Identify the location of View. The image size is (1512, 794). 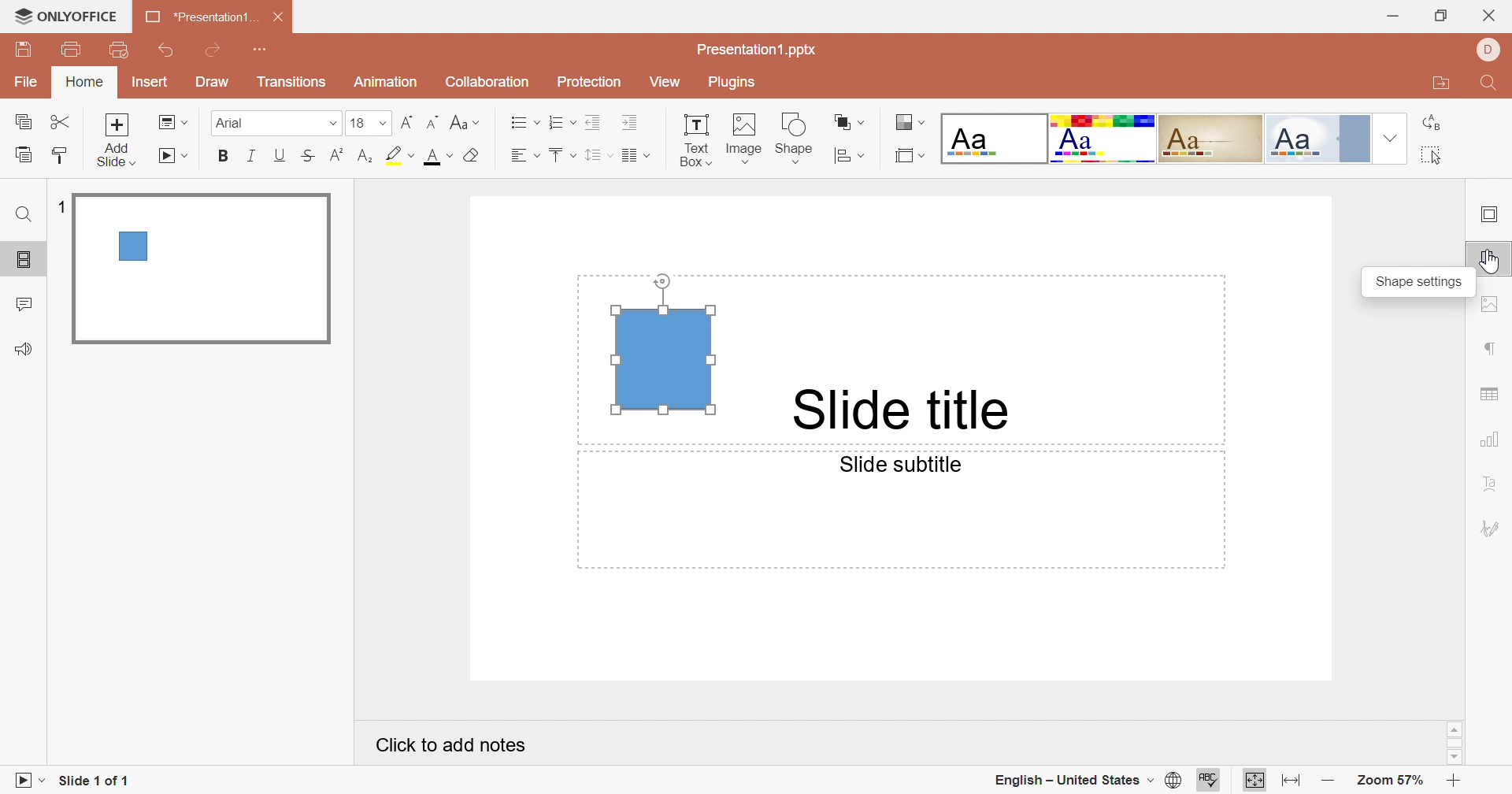
(669, 85).